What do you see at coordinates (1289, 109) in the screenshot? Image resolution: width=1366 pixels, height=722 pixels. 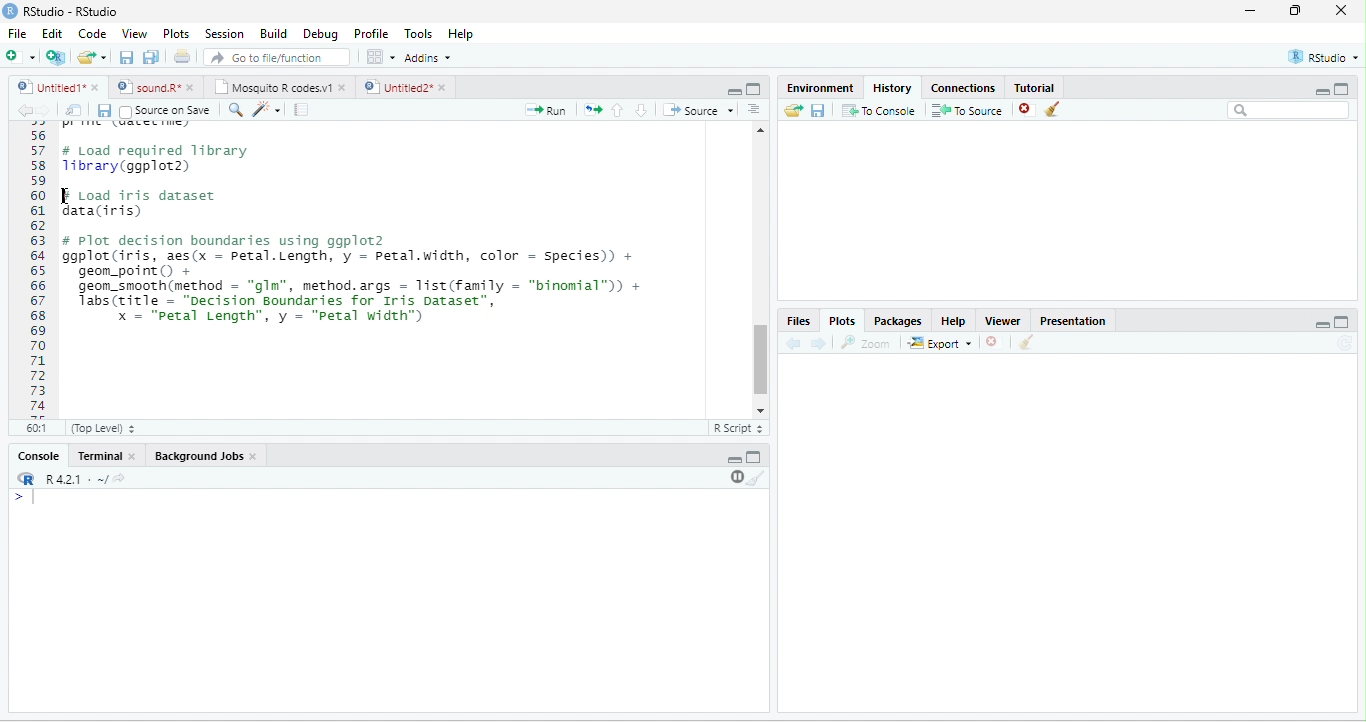 I see `search bar` at bounding box center [1289, 109].